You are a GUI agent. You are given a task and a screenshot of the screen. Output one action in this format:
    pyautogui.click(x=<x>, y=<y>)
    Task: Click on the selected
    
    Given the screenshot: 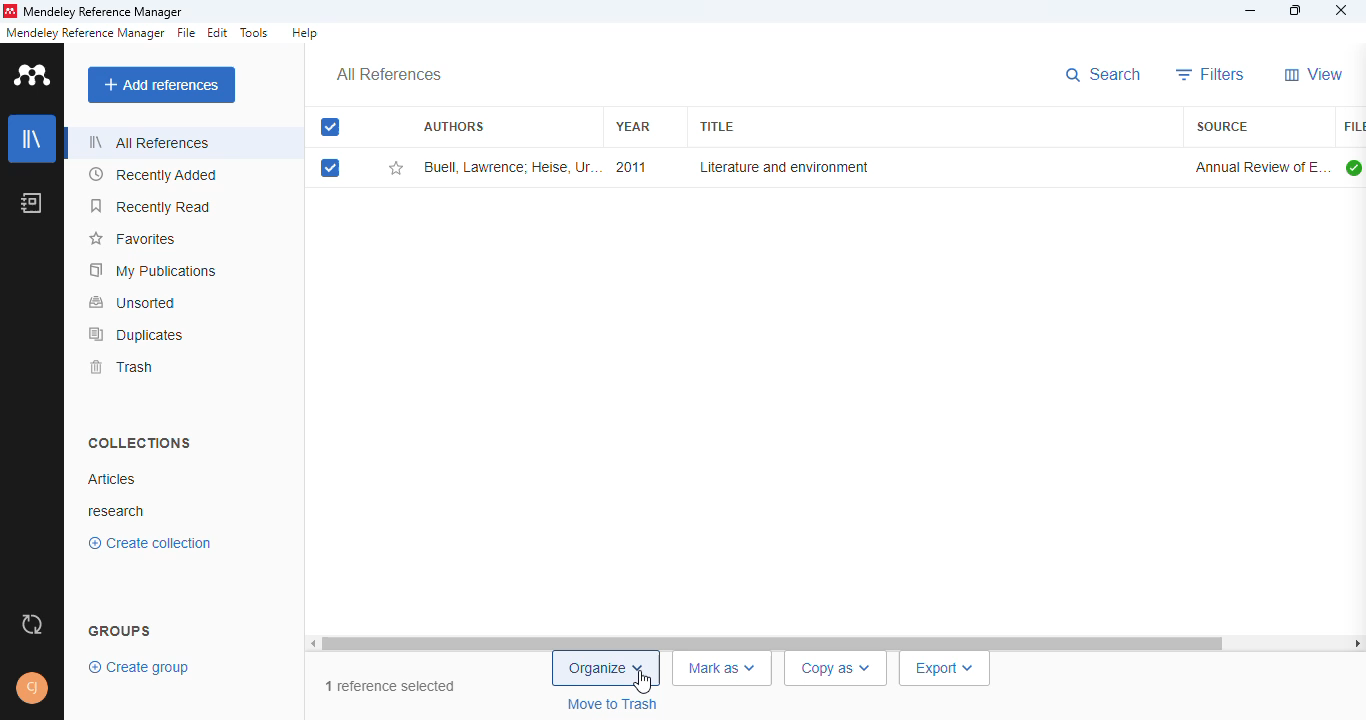 What is the action you would take?
    pyautogui.click(x=330, y=168)
    